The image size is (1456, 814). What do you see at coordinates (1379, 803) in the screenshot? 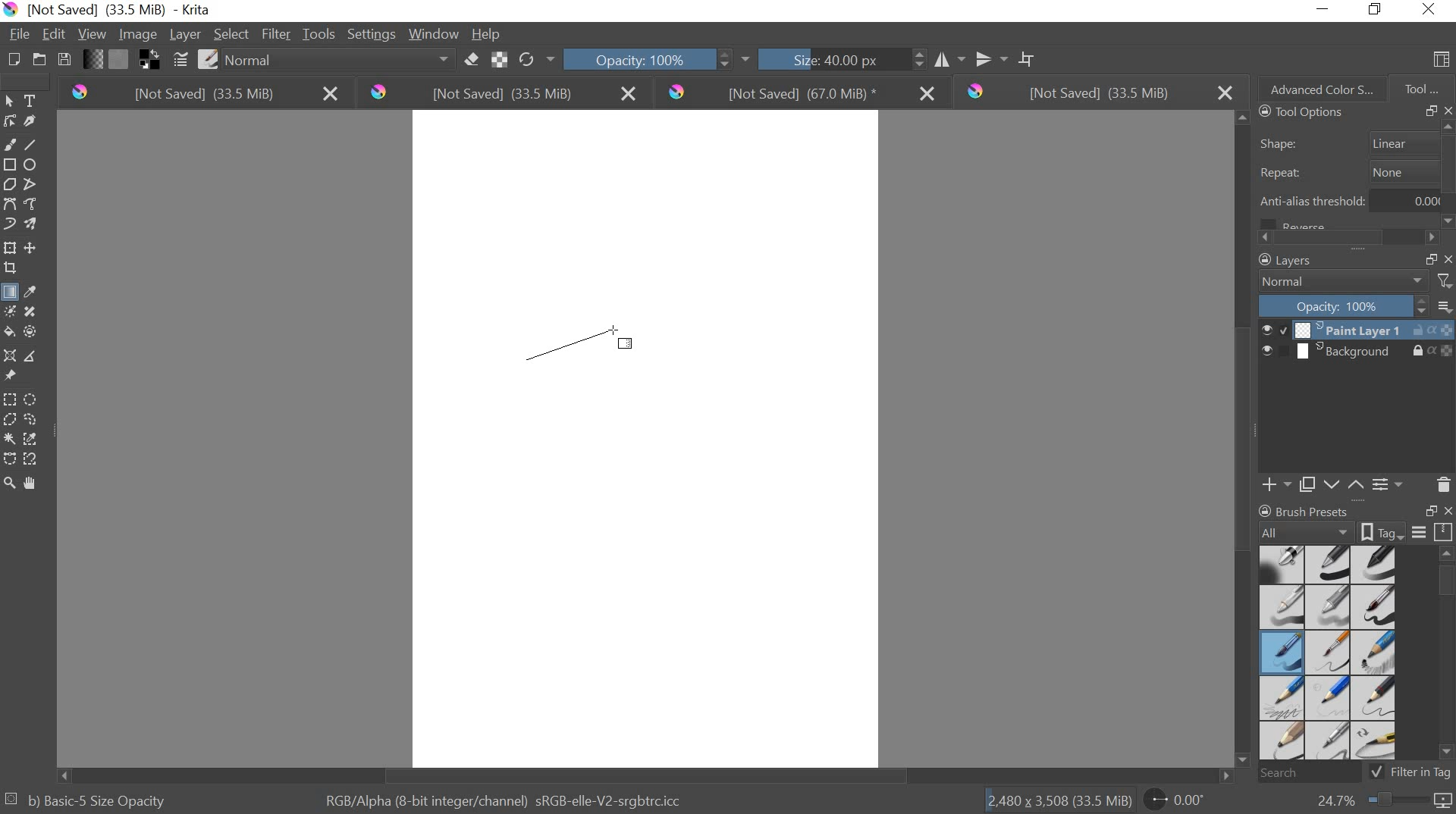
I see `ZOOM FACTOR` at bounding box center [1379, 803].